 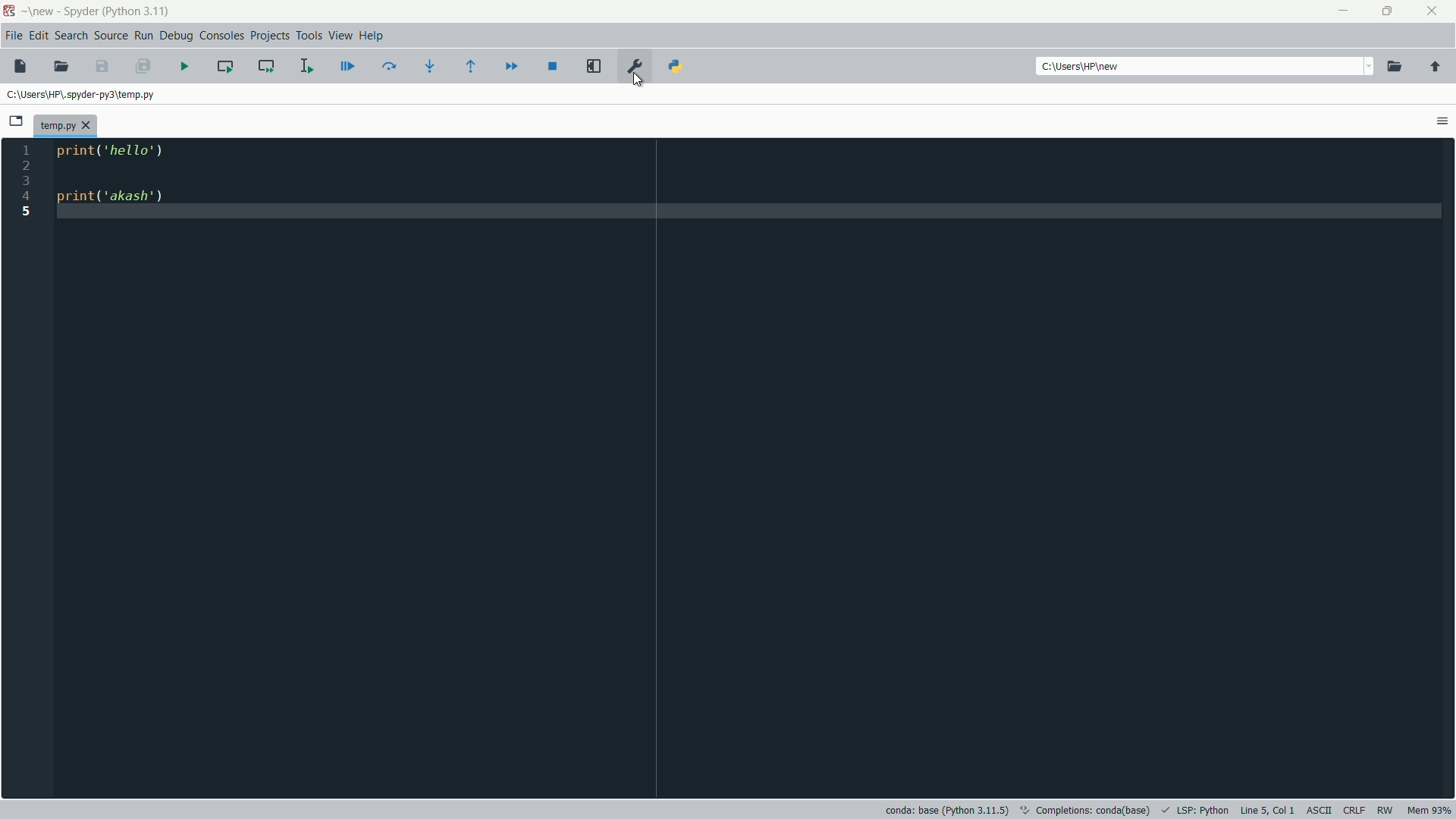 I want to click on debug file, so click(x=348, y=67).